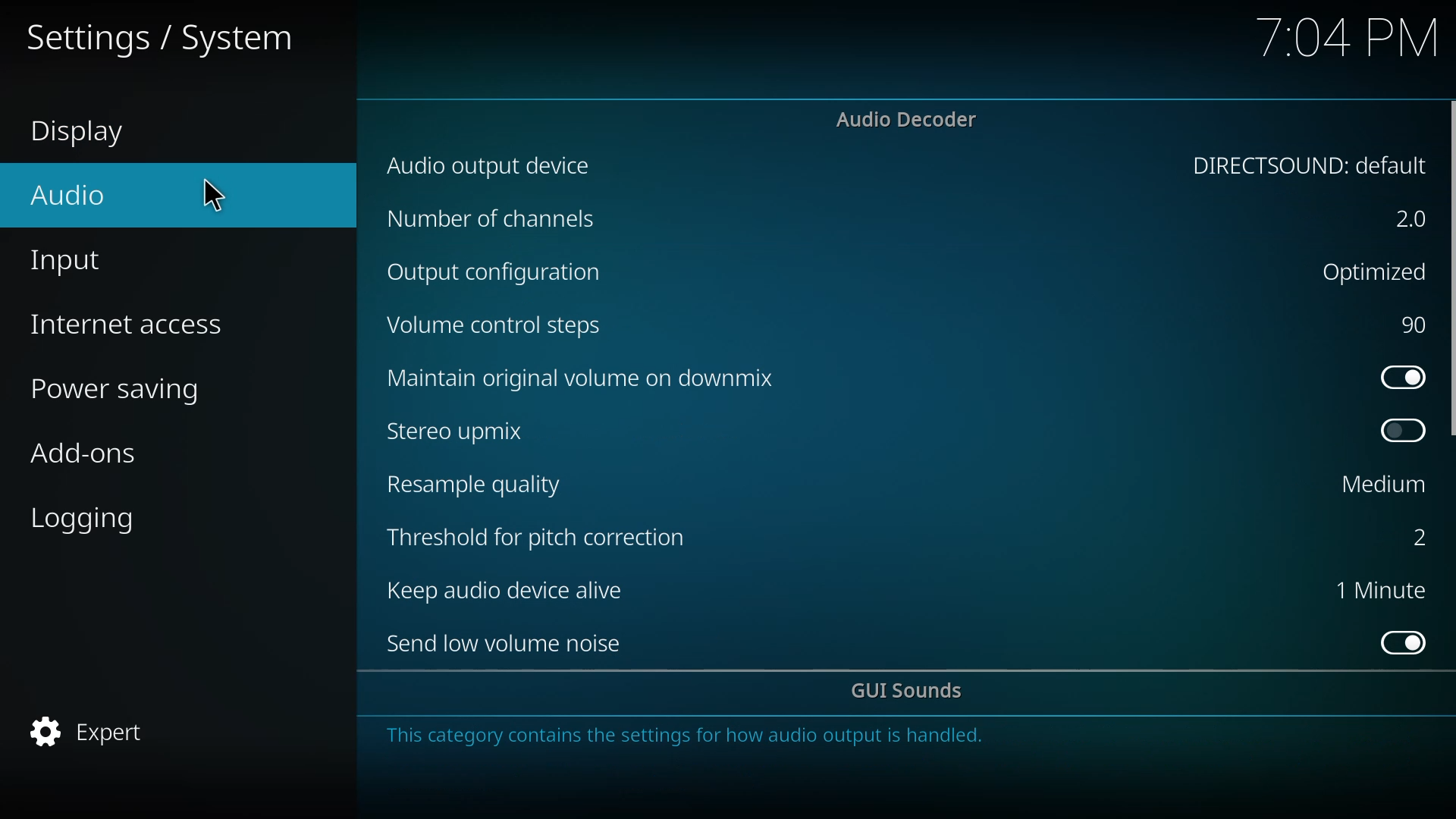 This screenshot has height=819, width=1456. Describe the element at coordinates (1384, 483) in the screenshot. I see `medium` at that location.